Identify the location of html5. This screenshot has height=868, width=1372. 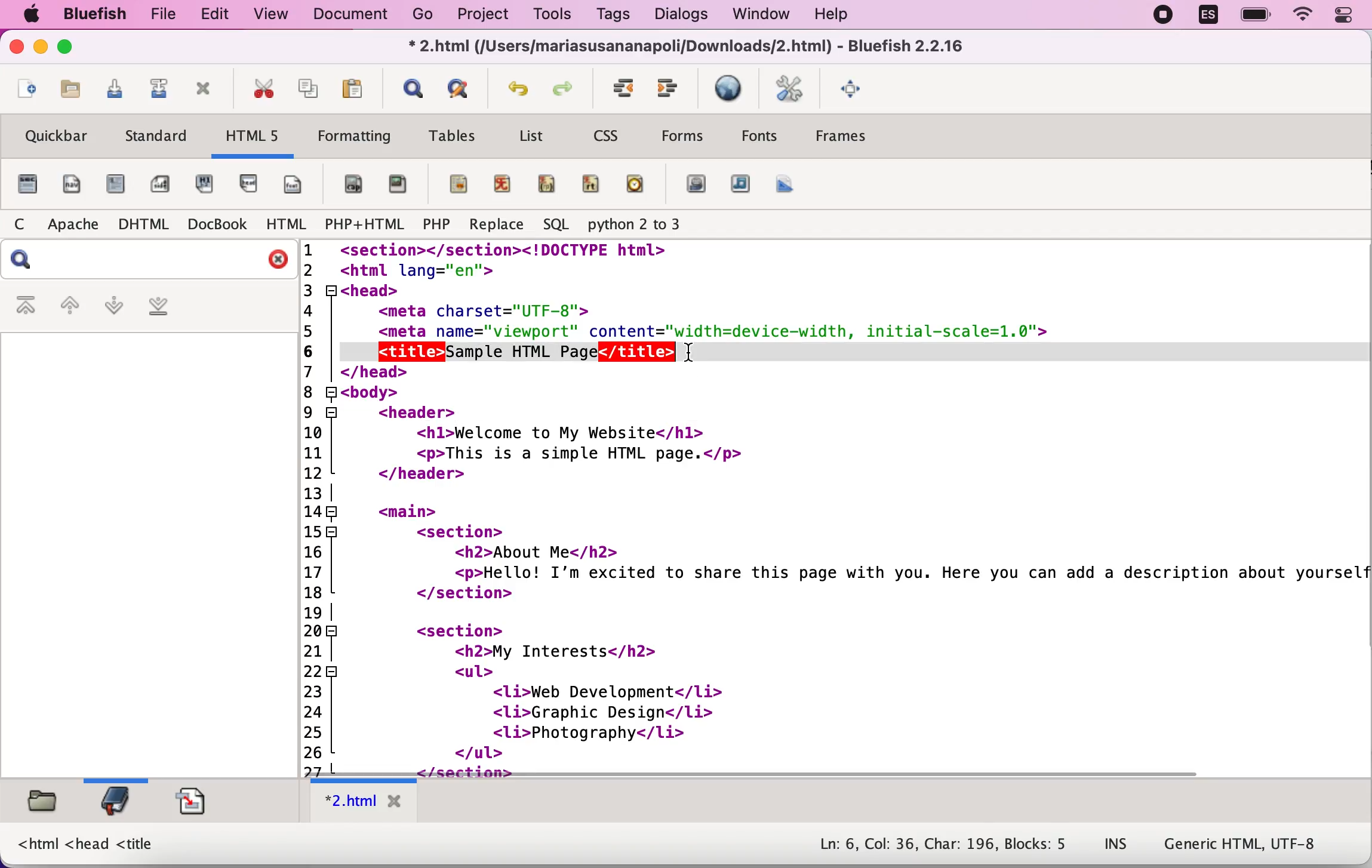
(255, 139).